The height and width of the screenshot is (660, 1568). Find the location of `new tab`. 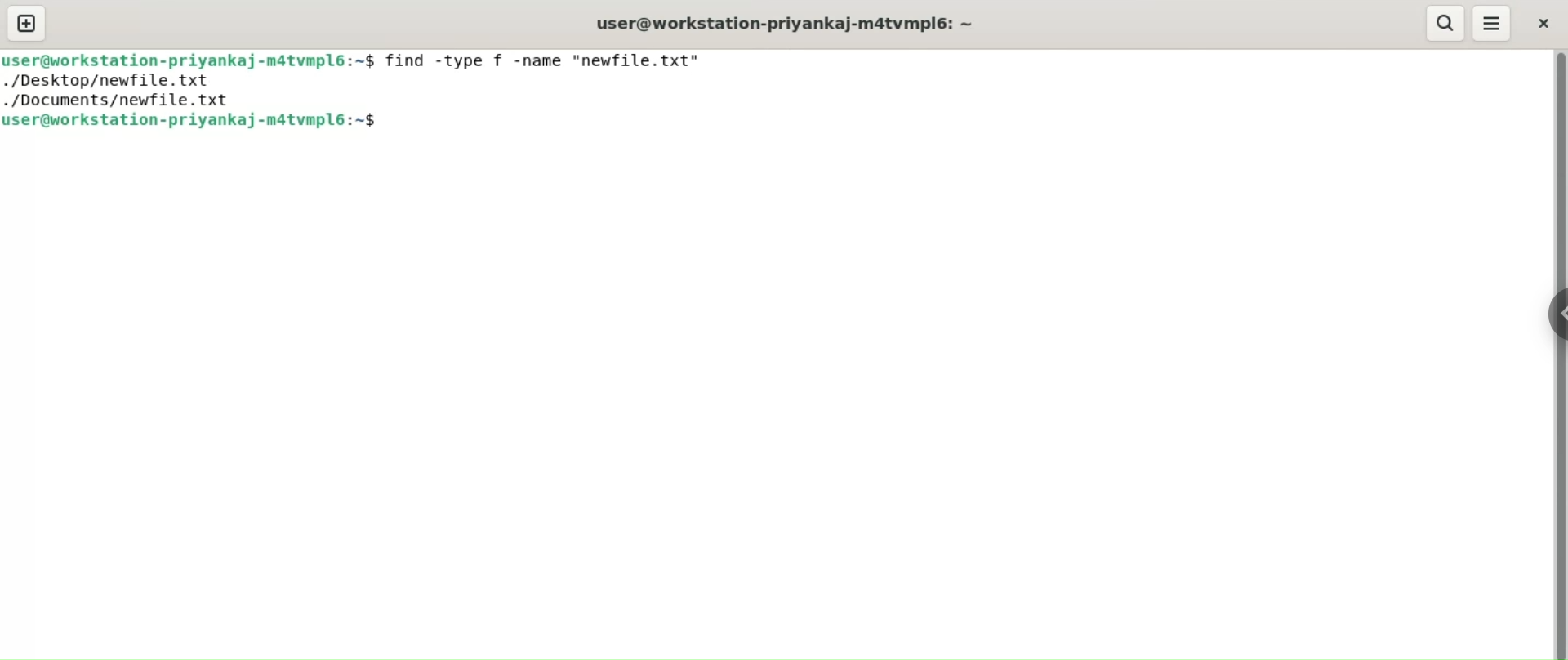

new tab is located at coordinates (25, 22).